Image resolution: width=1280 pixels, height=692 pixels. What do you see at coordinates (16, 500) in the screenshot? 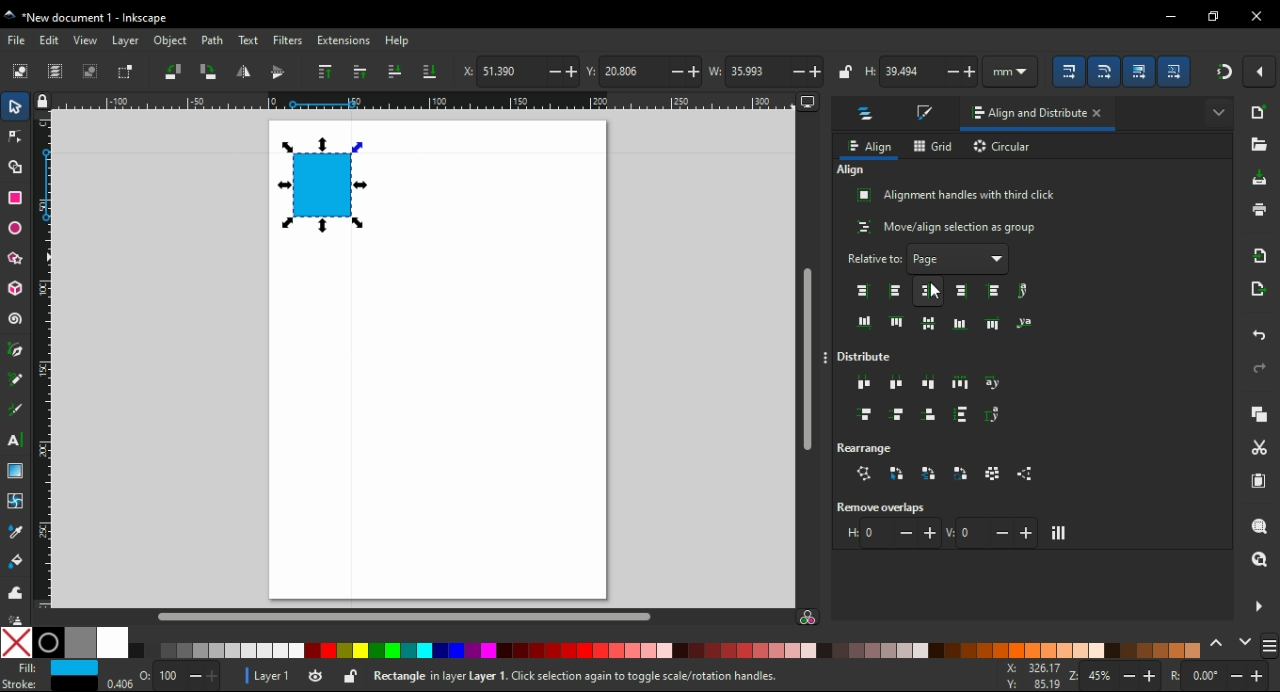
I see `mesh tool` at bounding box center [16, 500].